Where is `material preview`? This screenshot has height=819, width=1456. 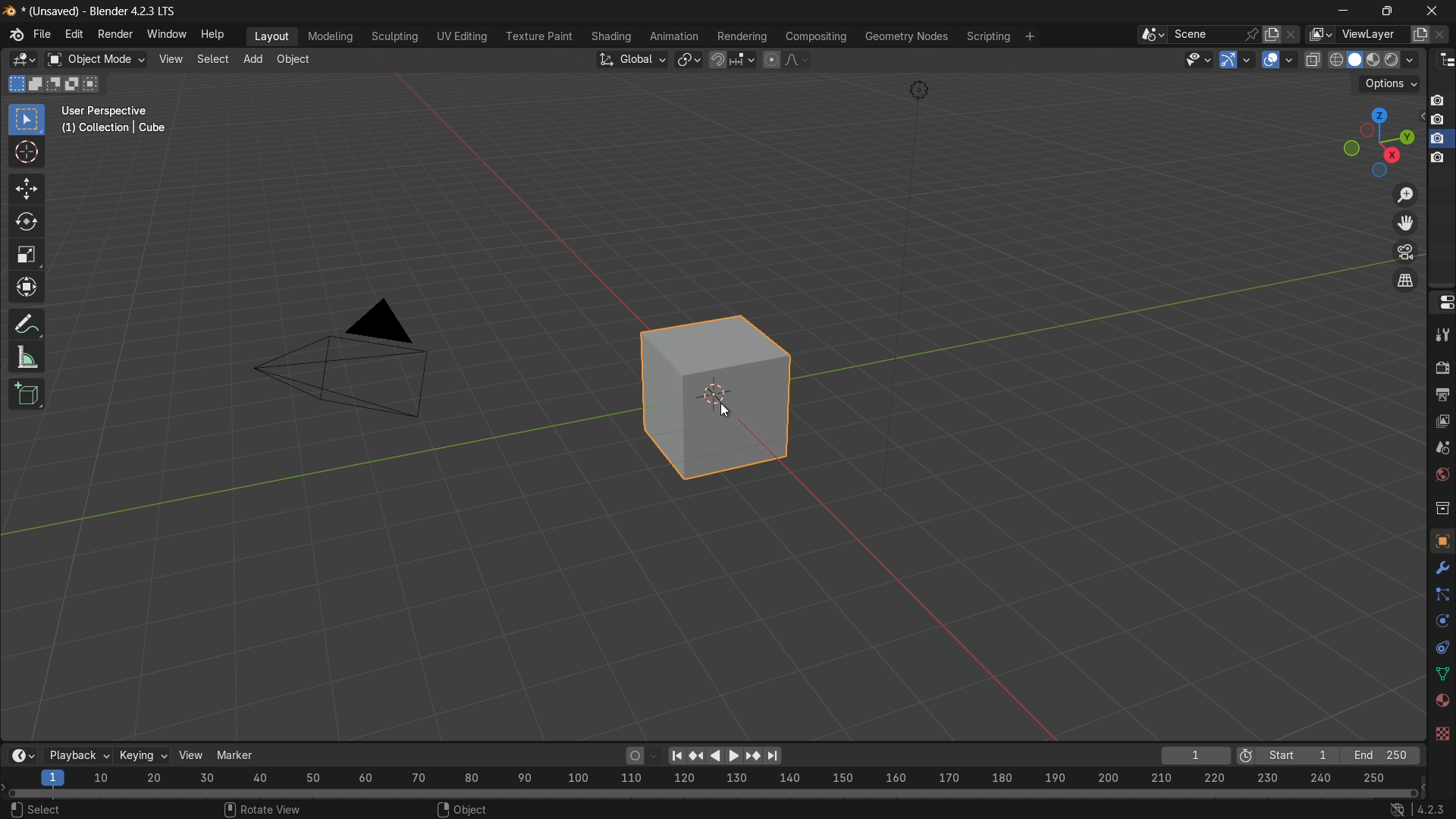 material preview is located at coordinates (1376, 60).